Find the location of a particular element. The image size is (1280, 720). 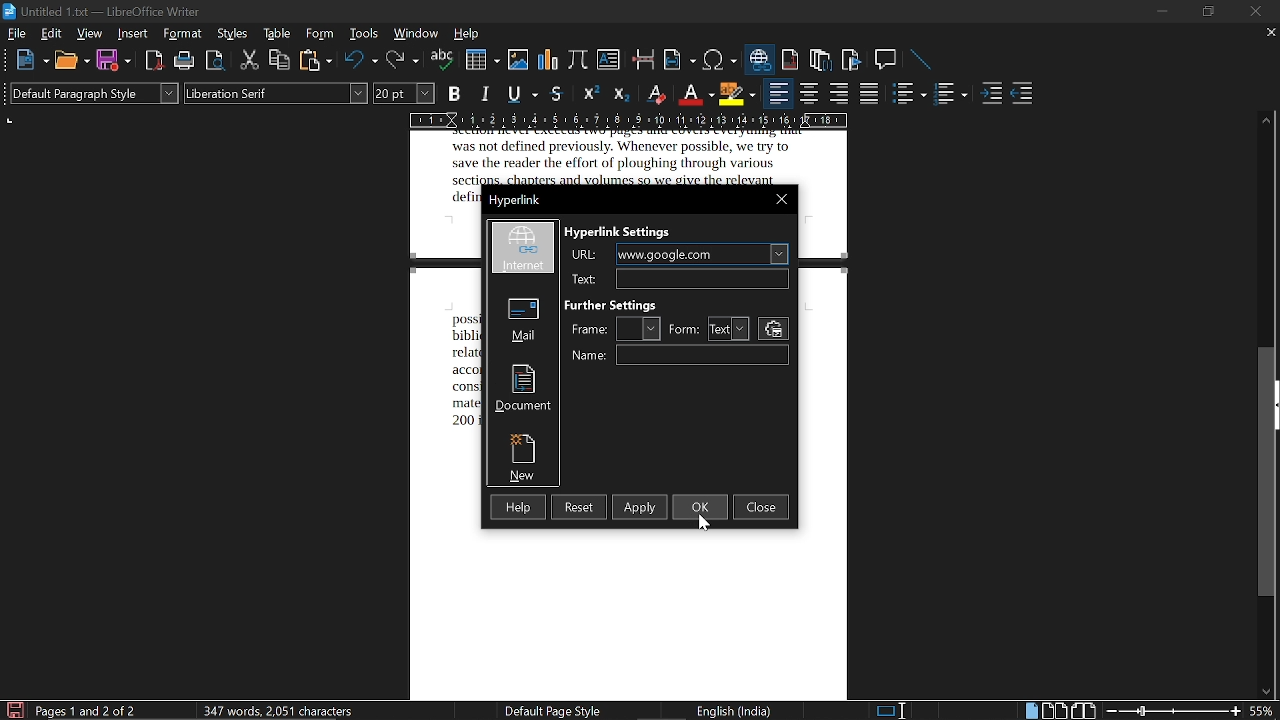

restore down is located at coordinates (1206, 12).